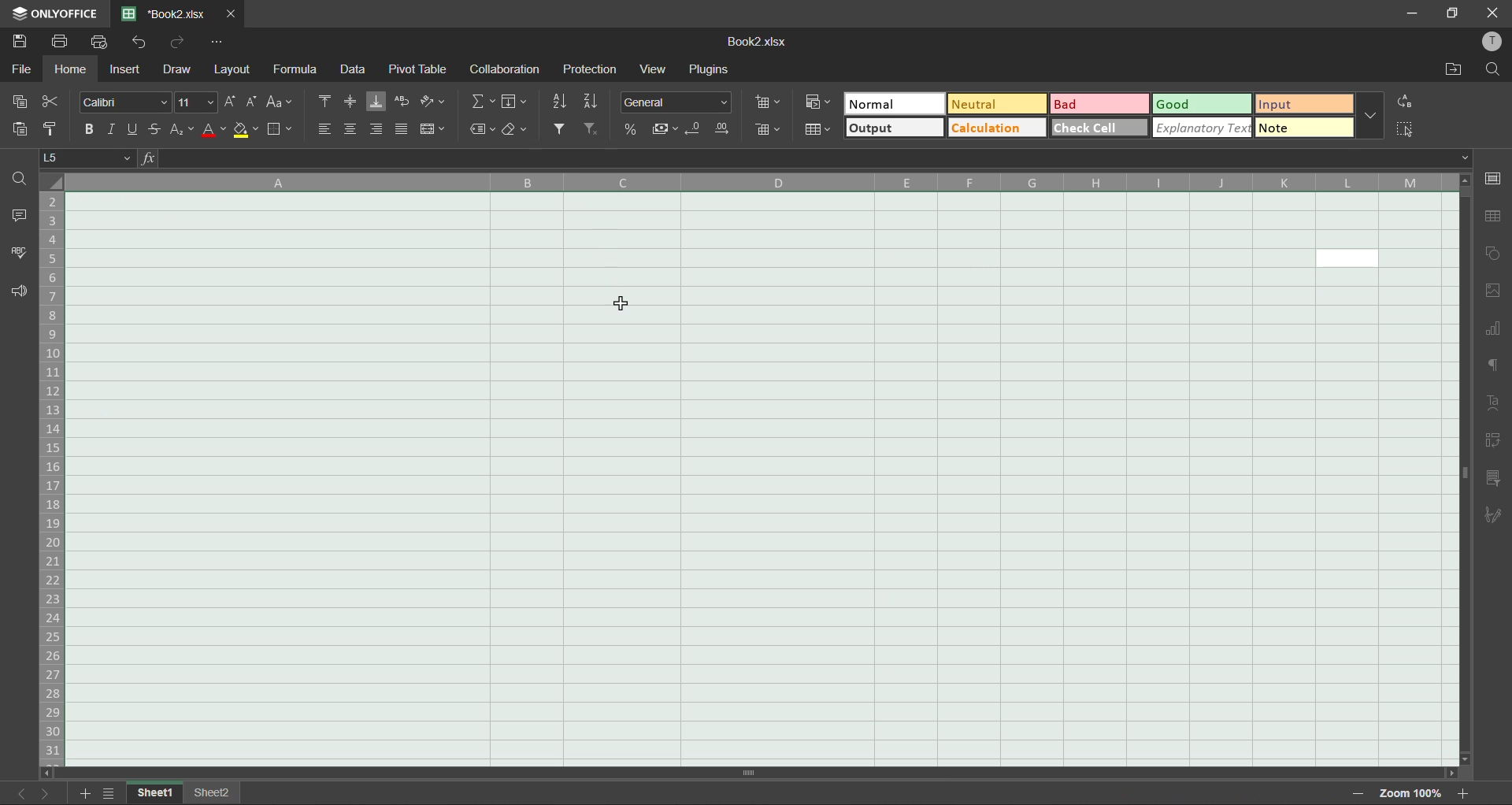 The width and height of the screenshot is (1512, 805). I want to click on clear, so click(518, 133).